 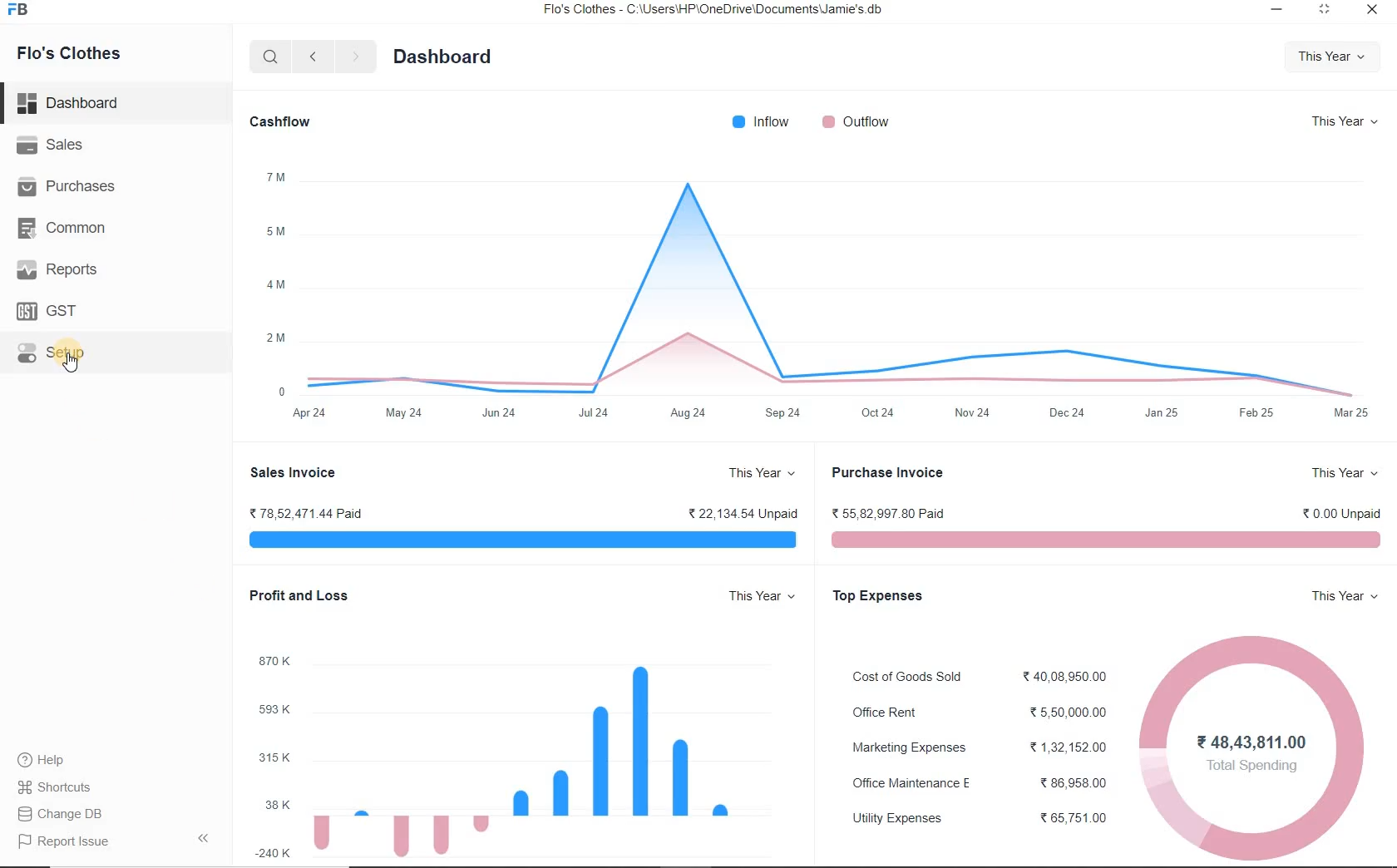 What do you see at coordinates (275, 757) in the screenshot?
I see `315 k` at bounding box center [275, 757].